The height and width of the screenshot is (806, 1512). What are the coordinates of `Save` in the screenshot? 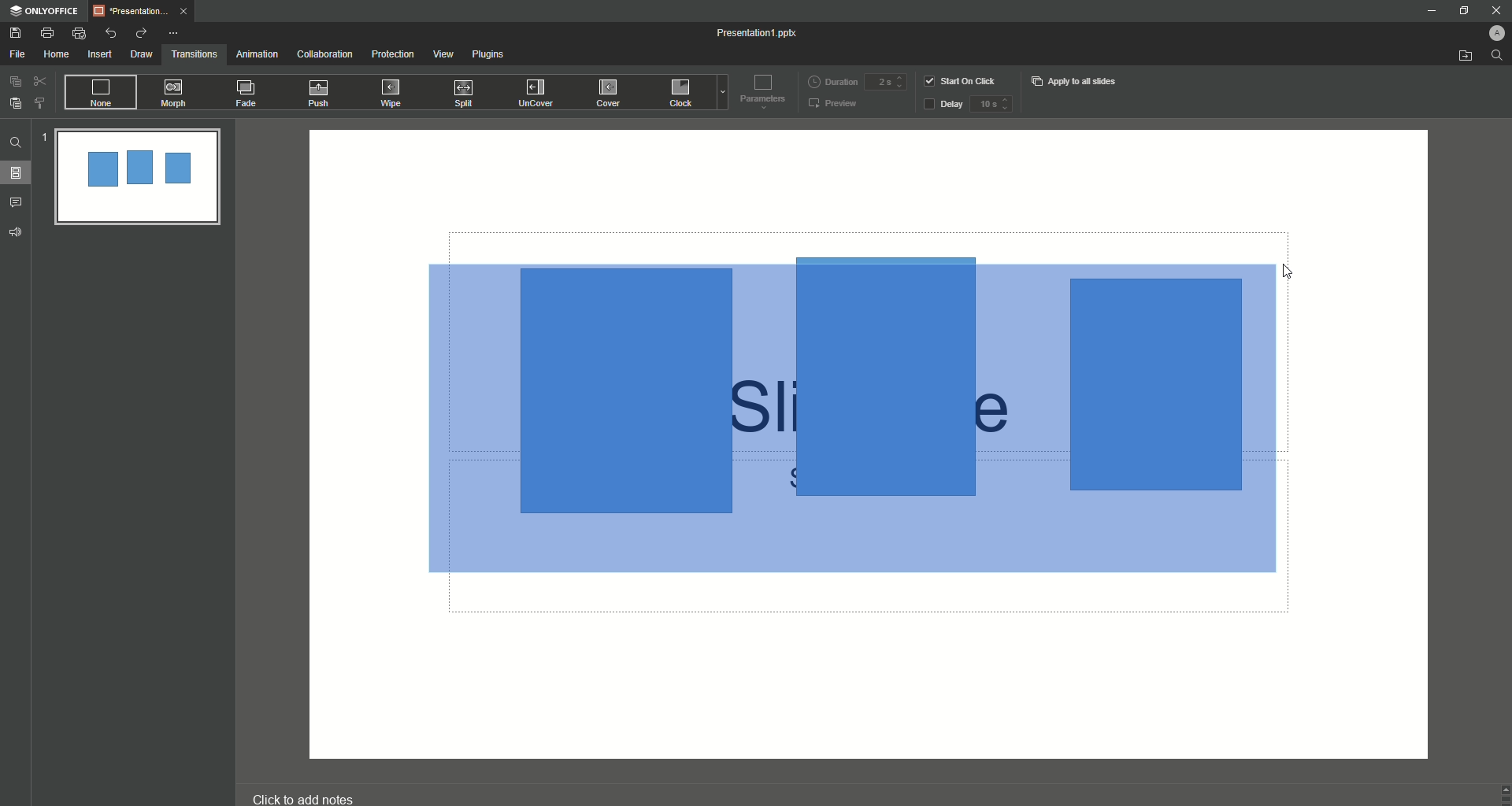 It's located at (16, 33).